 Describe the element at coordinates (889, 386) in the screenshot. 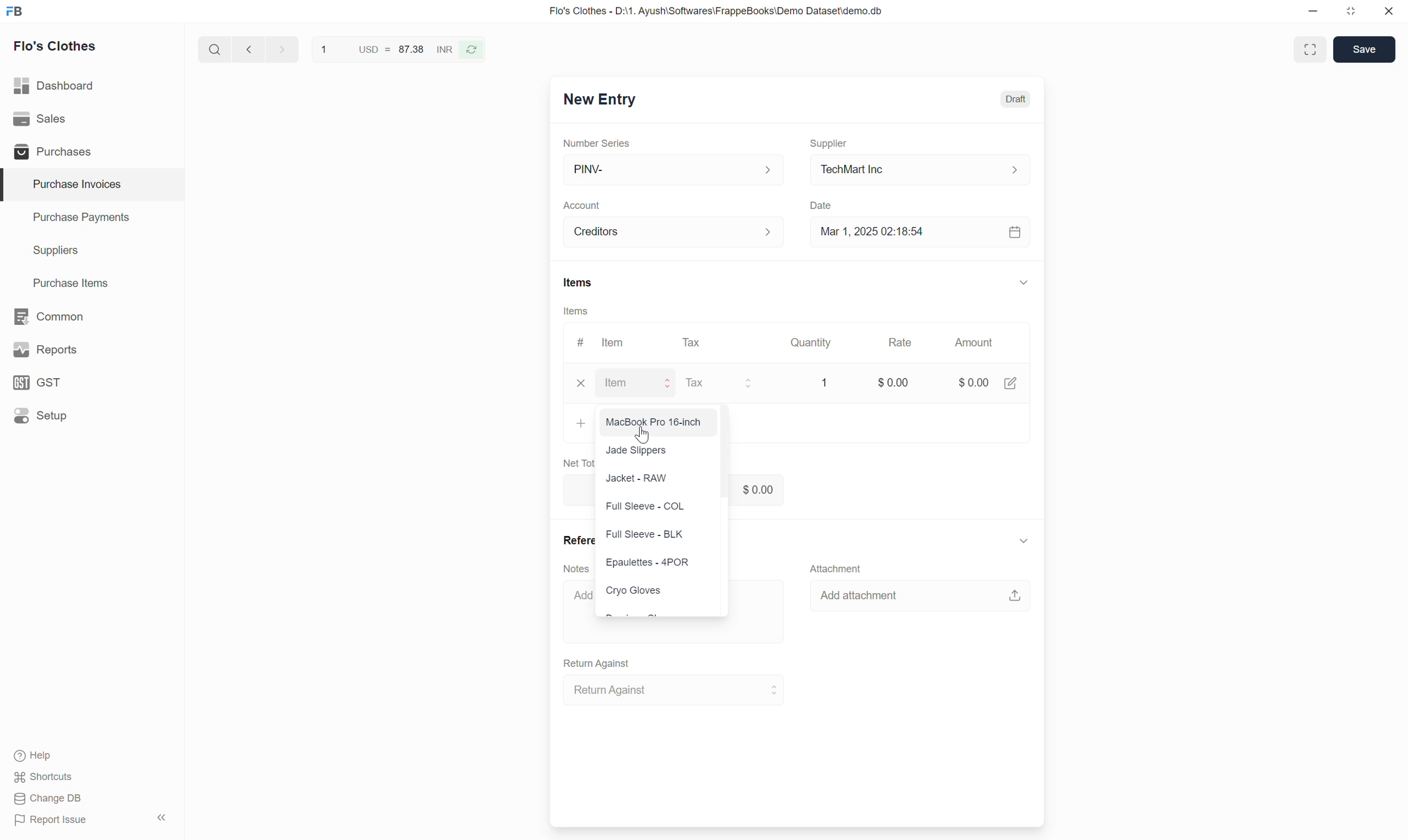

I see `$0.00` at that location.